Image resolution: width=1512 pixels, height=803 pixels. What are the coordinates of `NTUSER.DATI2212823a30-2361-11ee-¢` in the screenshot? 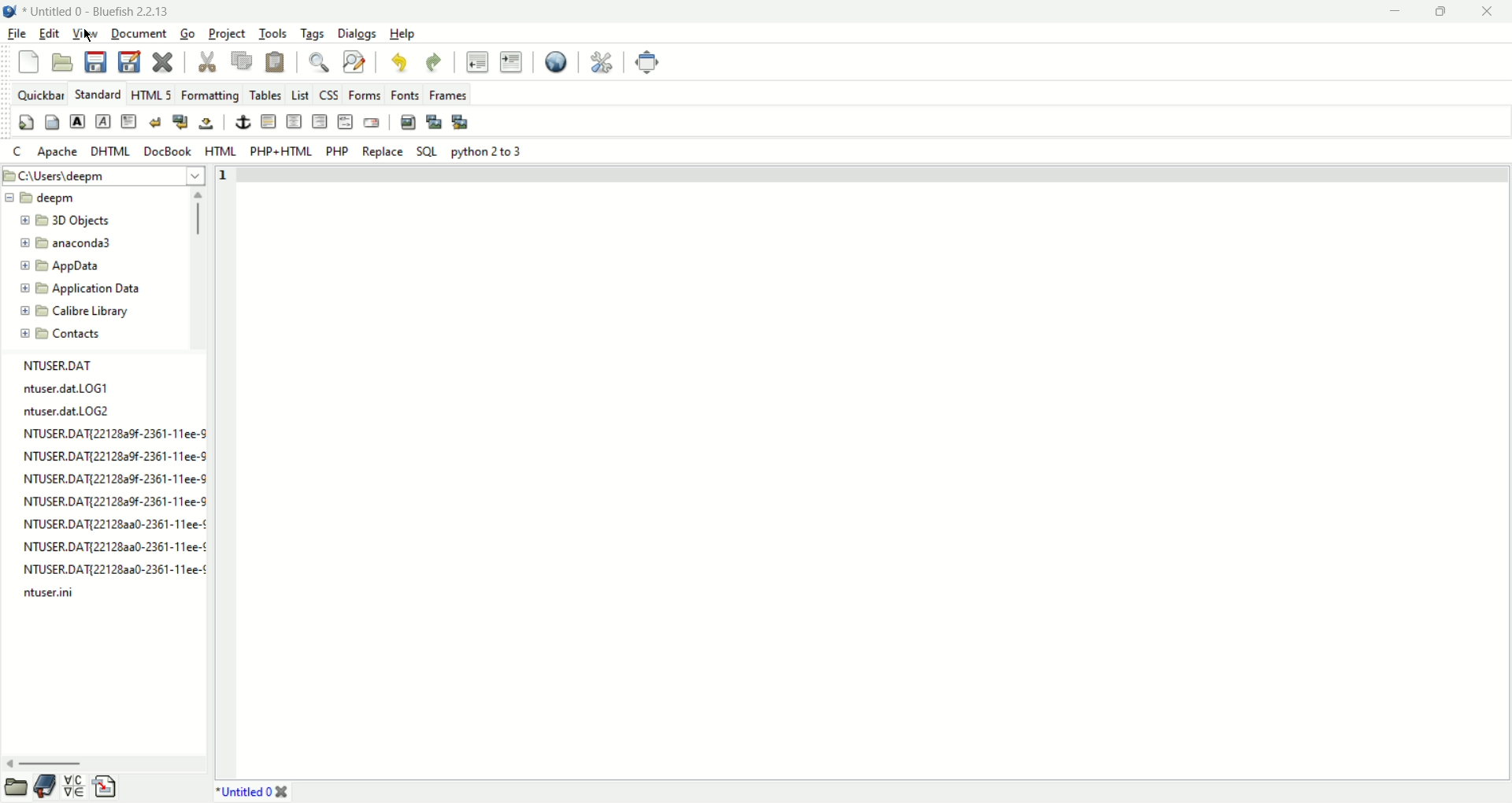 It's located at (116, 522).